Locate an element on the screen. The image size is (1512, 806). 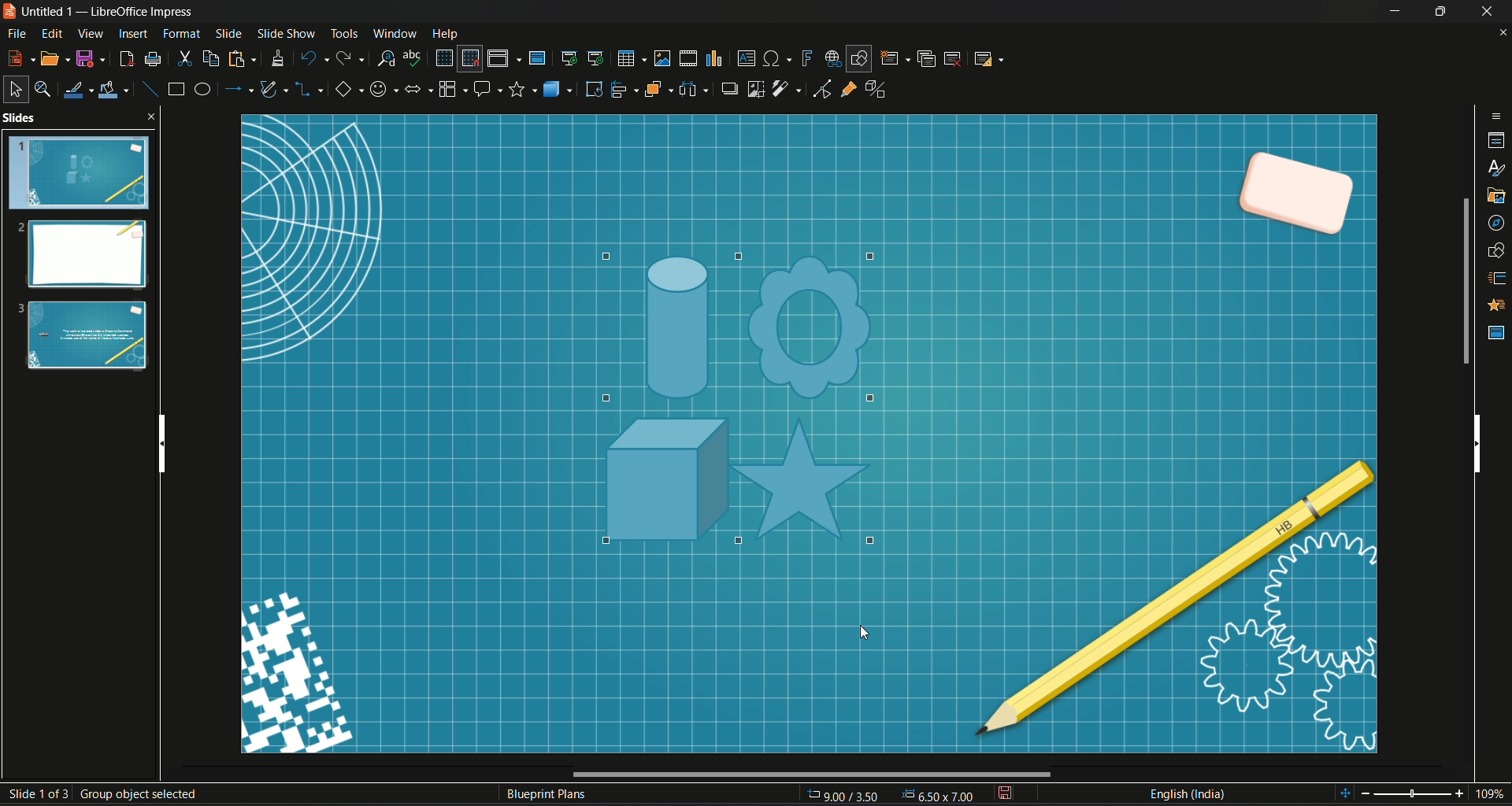
File is located at coordinates (17, 35).